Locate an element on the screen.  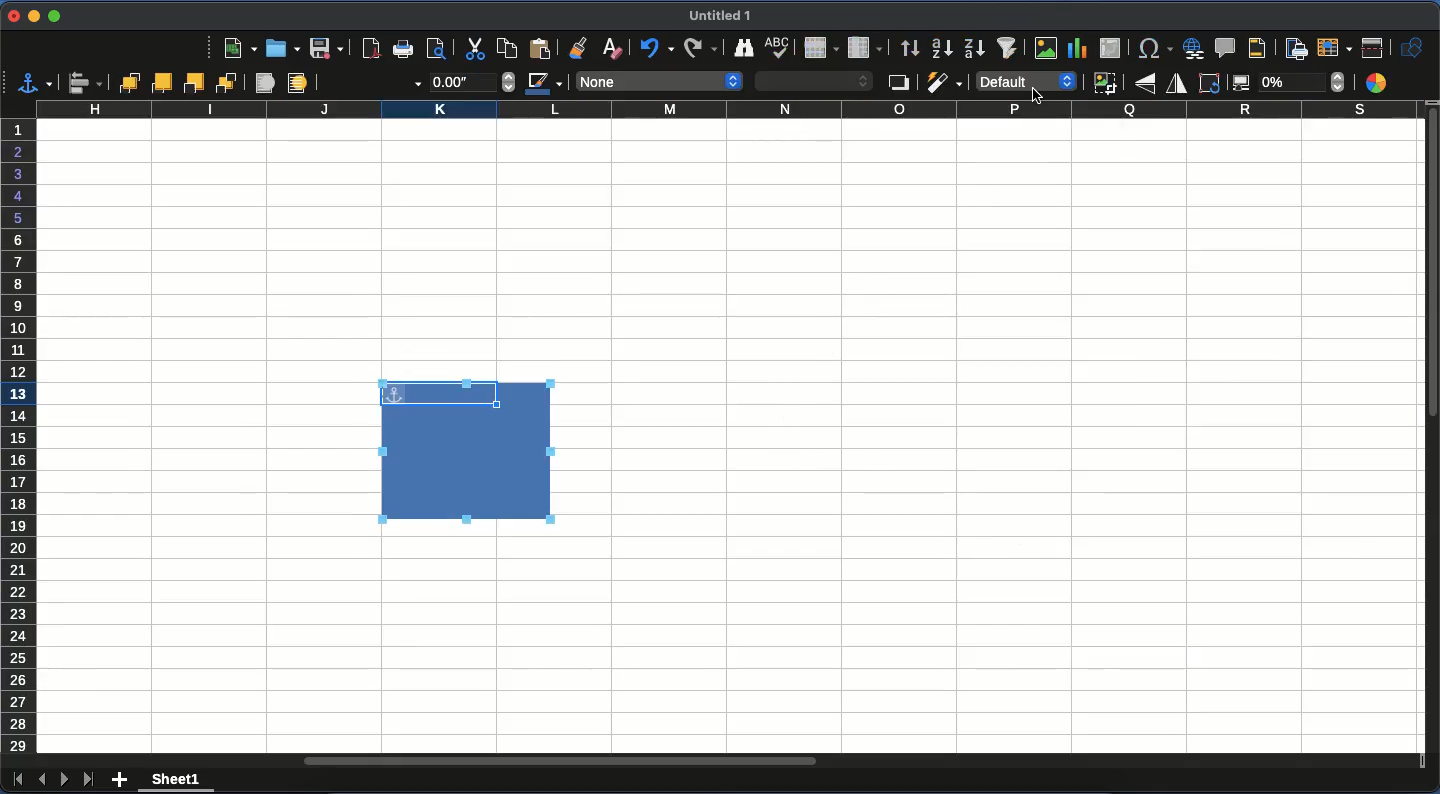
image is located at coordinates (468, 452).